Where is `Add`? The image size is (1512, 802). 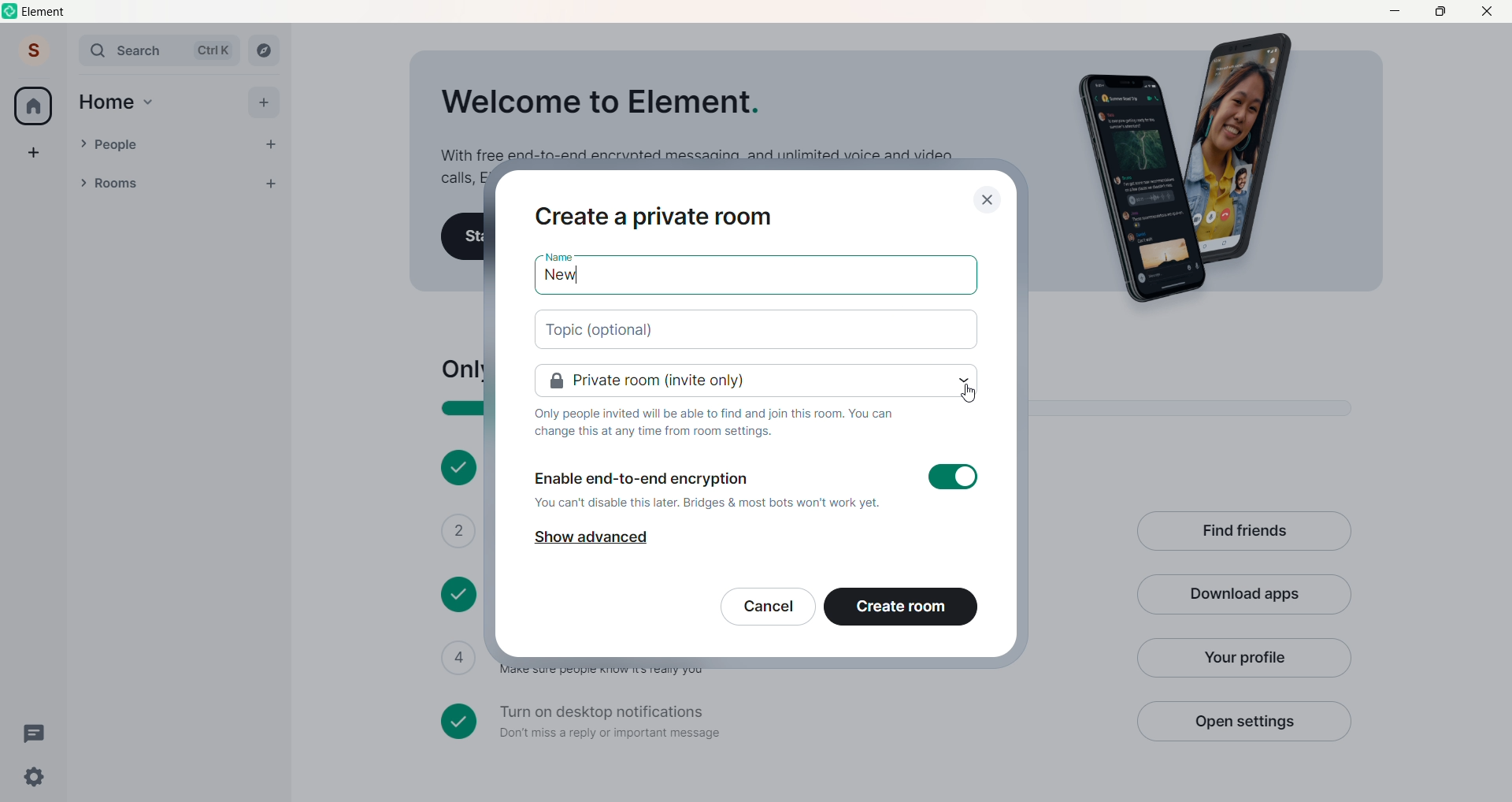 Add is located at coordinates (263, 102).